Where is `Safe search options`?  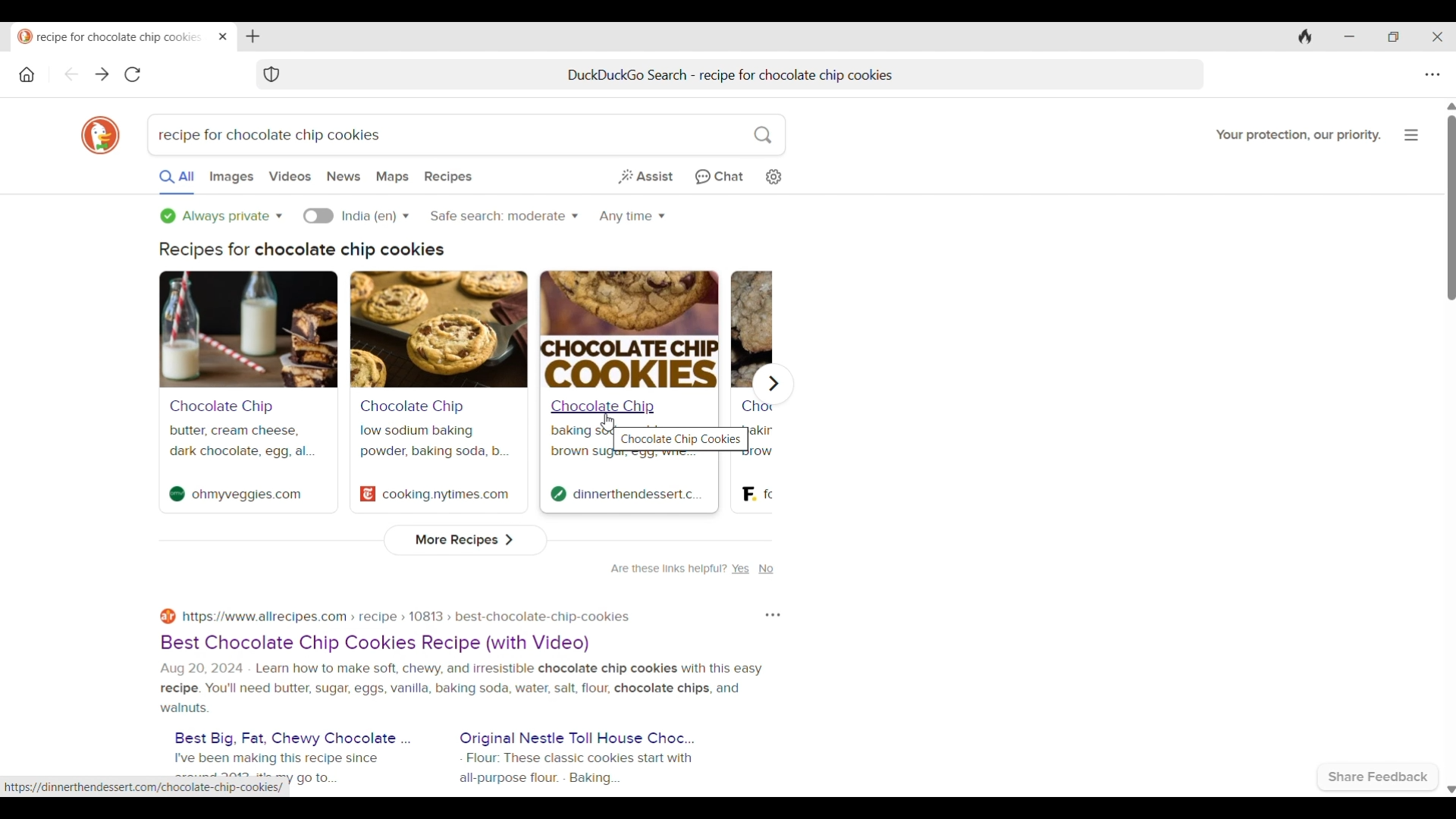
Safe search options is located at coordinates (505, 216).